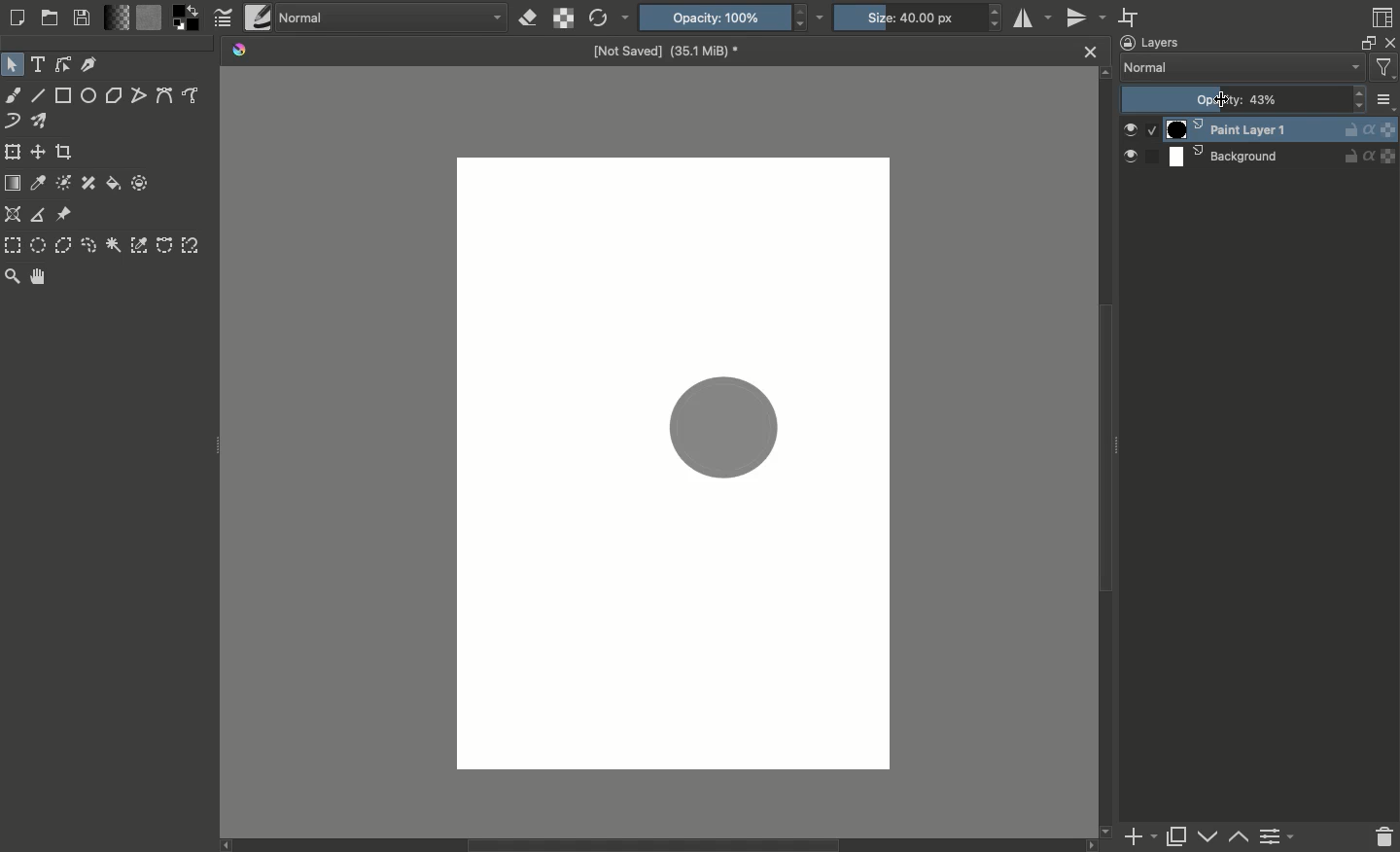  I want to click on select slot, so click(1152, 156).